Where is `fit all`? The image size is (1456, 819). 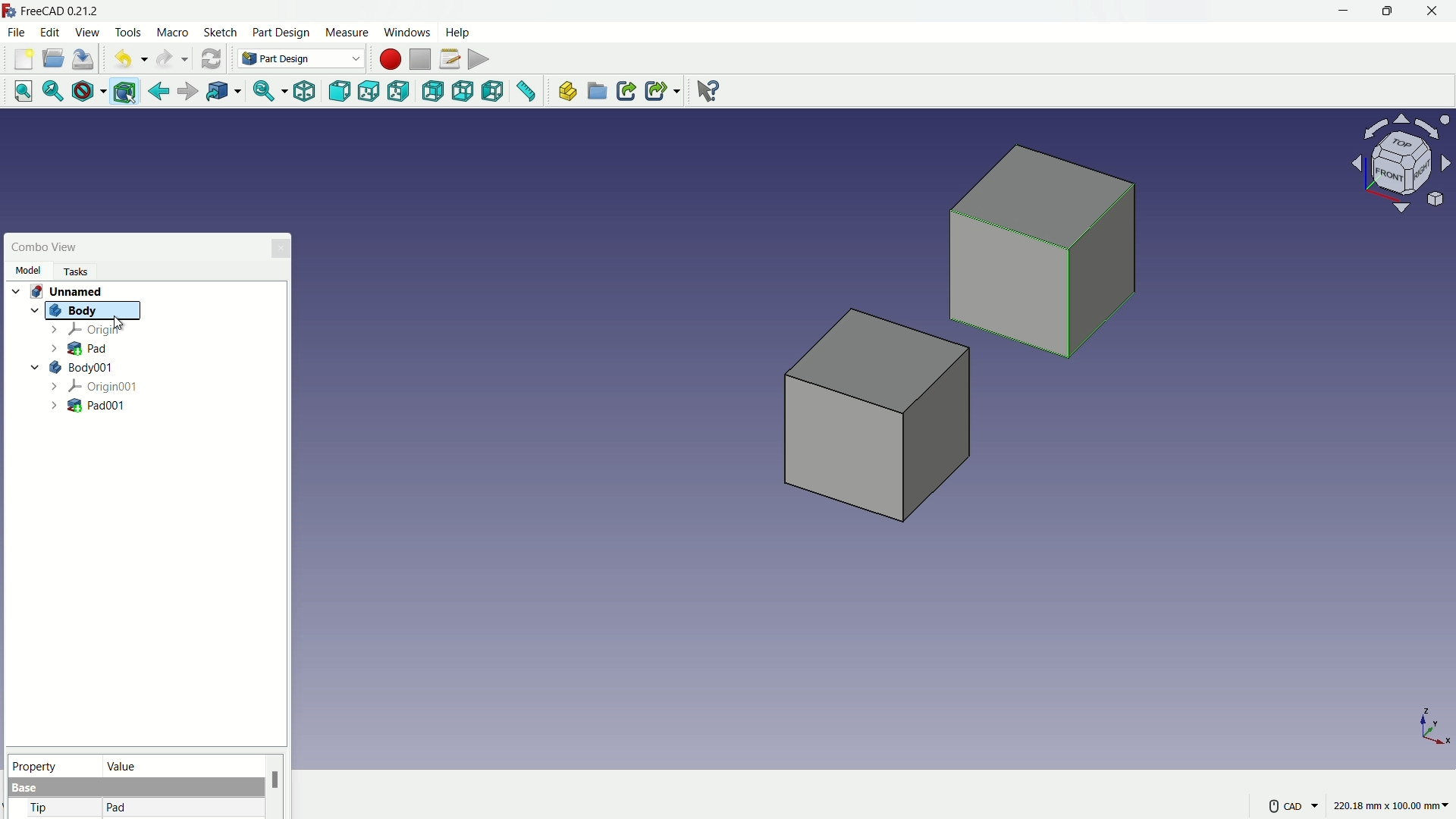 fit all is located at coordinates (18, 90).